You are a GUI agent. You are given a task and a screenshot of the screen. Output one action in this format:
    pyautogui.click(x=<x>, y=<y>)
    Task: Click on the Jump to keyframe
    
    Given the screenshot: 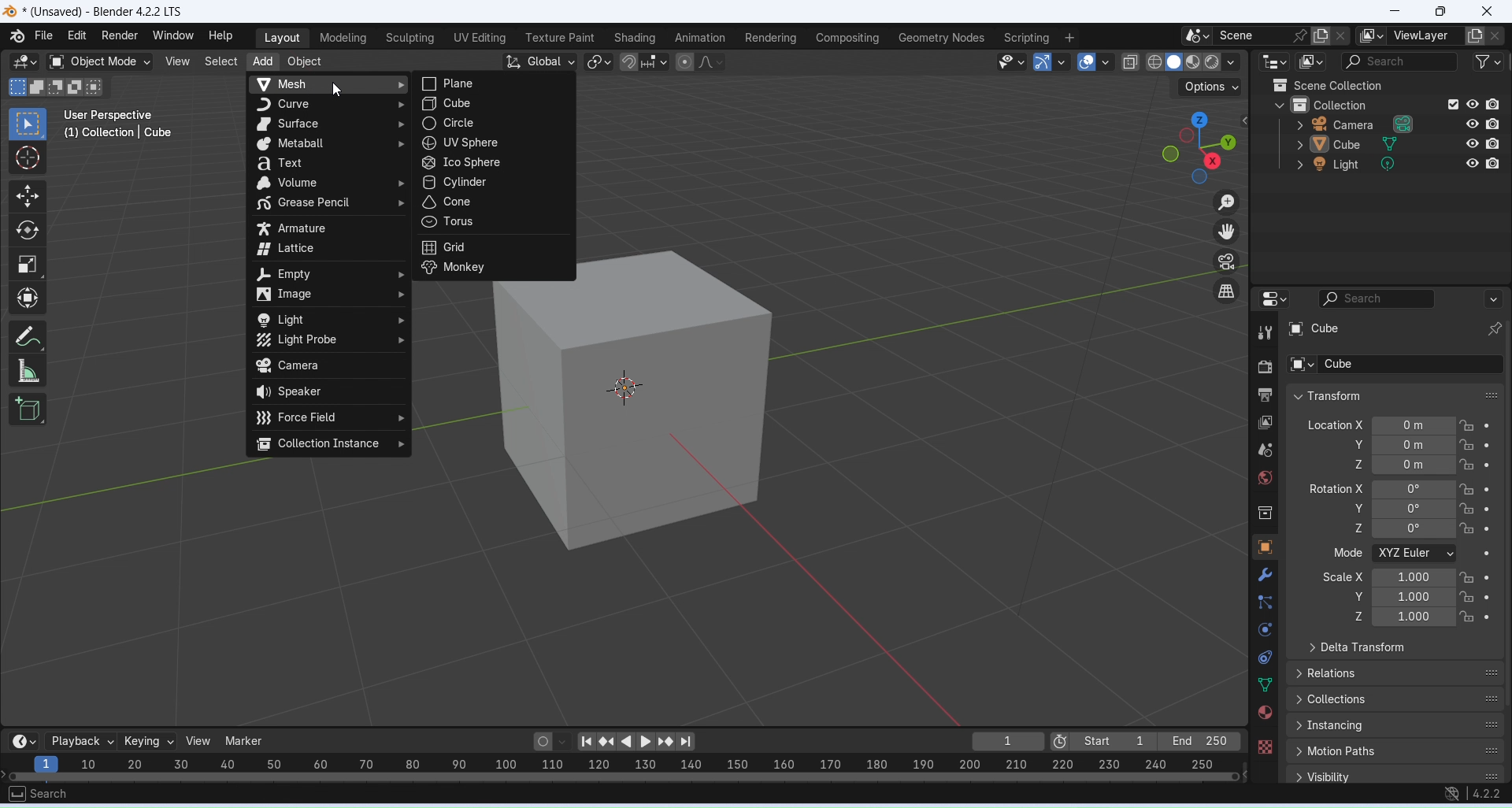 What is the action you would take?
    pyautogui.click(x=608, y=741)
    